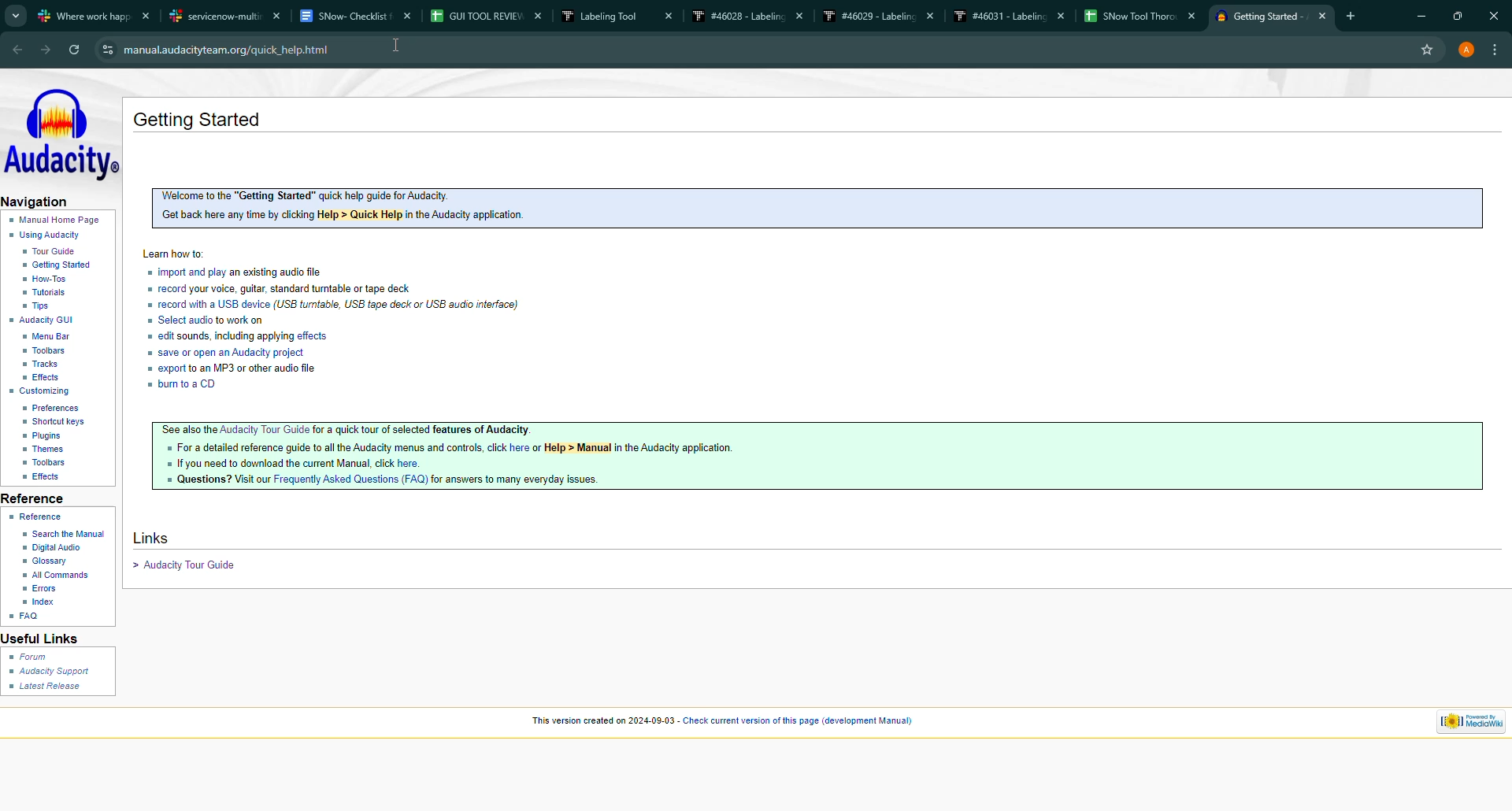 This screenshot has width=1512, height=811. I want to click on View Site Information, so click(106, 48).